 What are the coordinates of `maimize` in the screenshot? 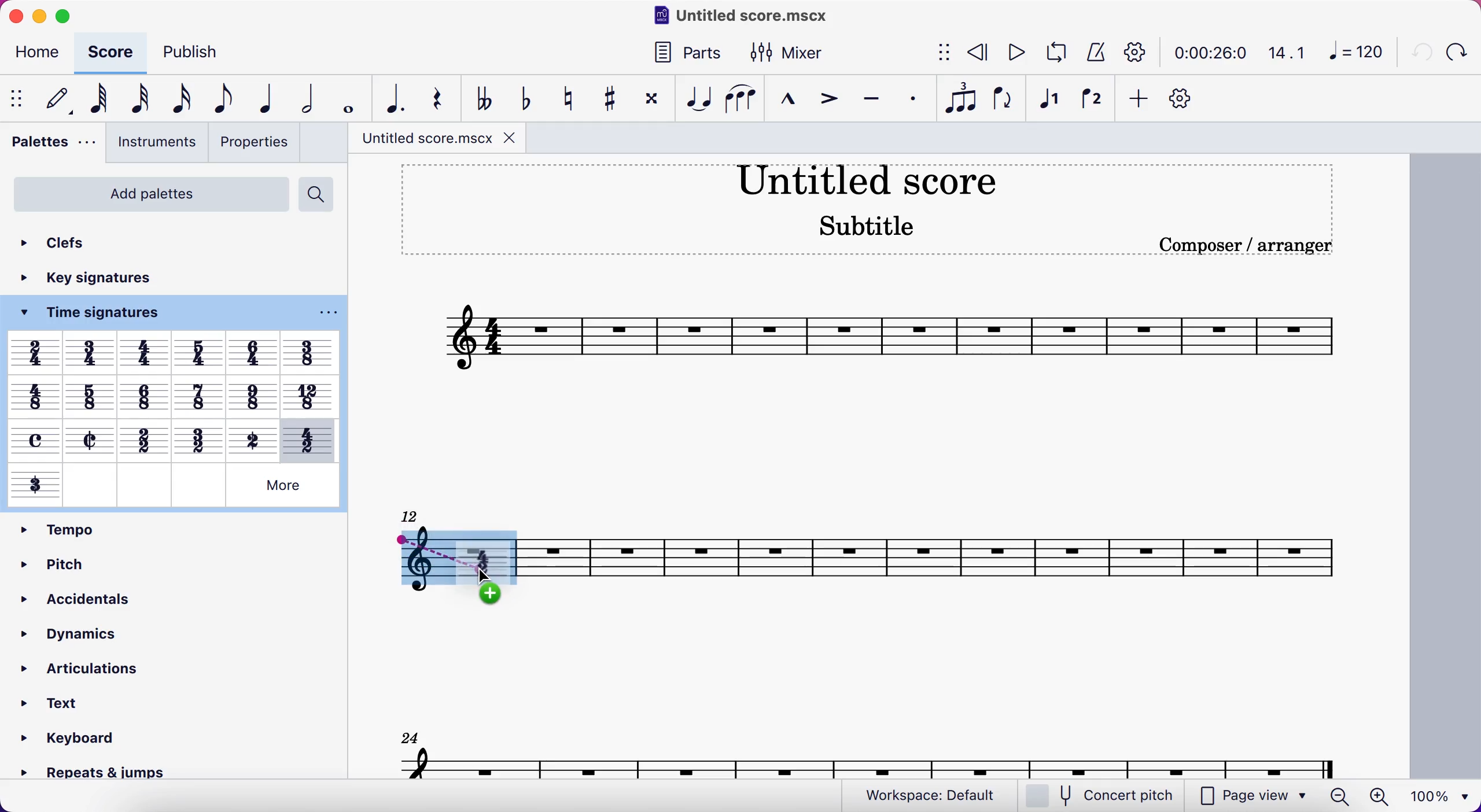 It's located at (71, 17).